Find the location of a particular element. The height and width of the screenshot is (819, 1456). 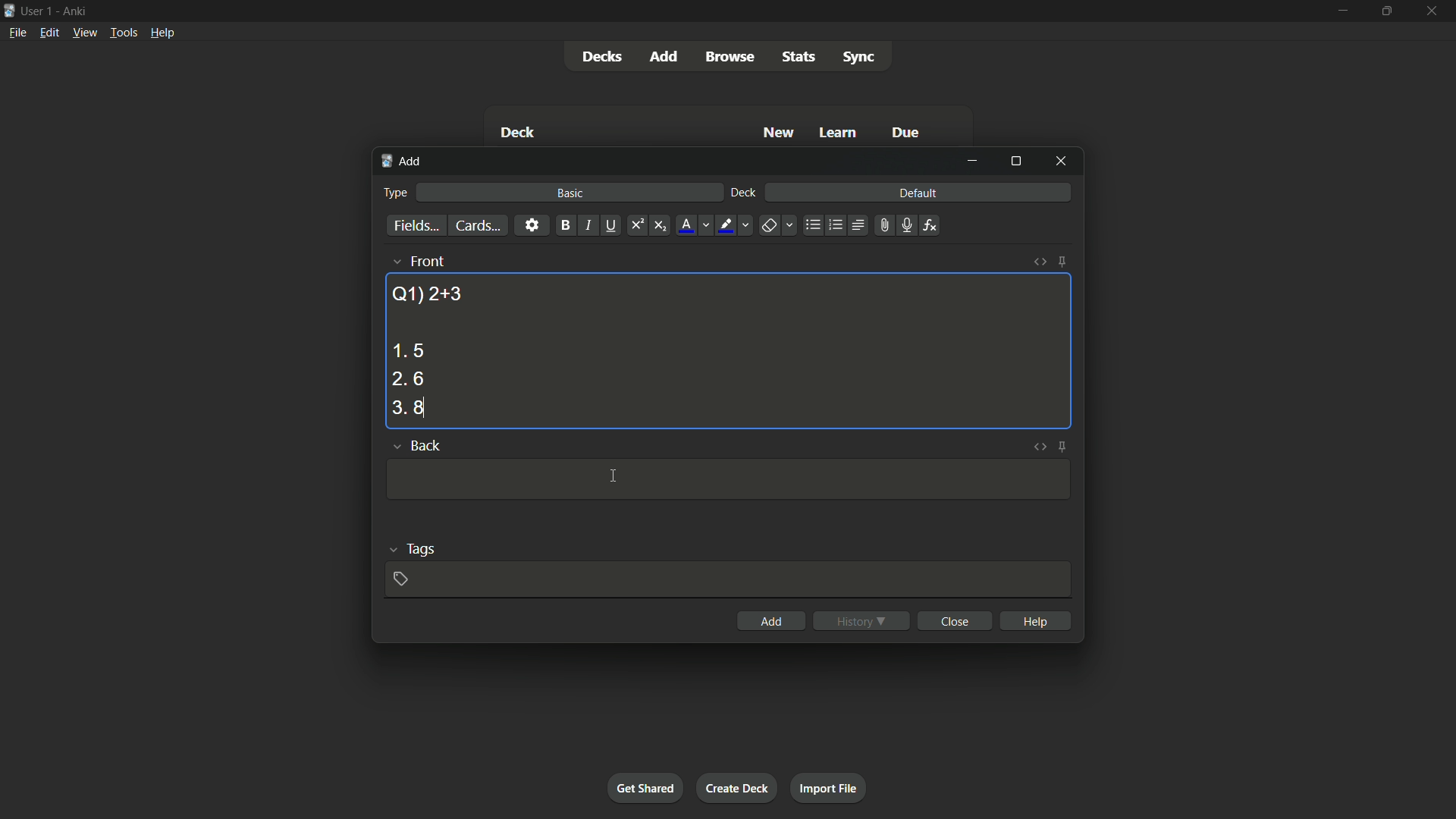

user 1 is located at coordinates (37, 8).